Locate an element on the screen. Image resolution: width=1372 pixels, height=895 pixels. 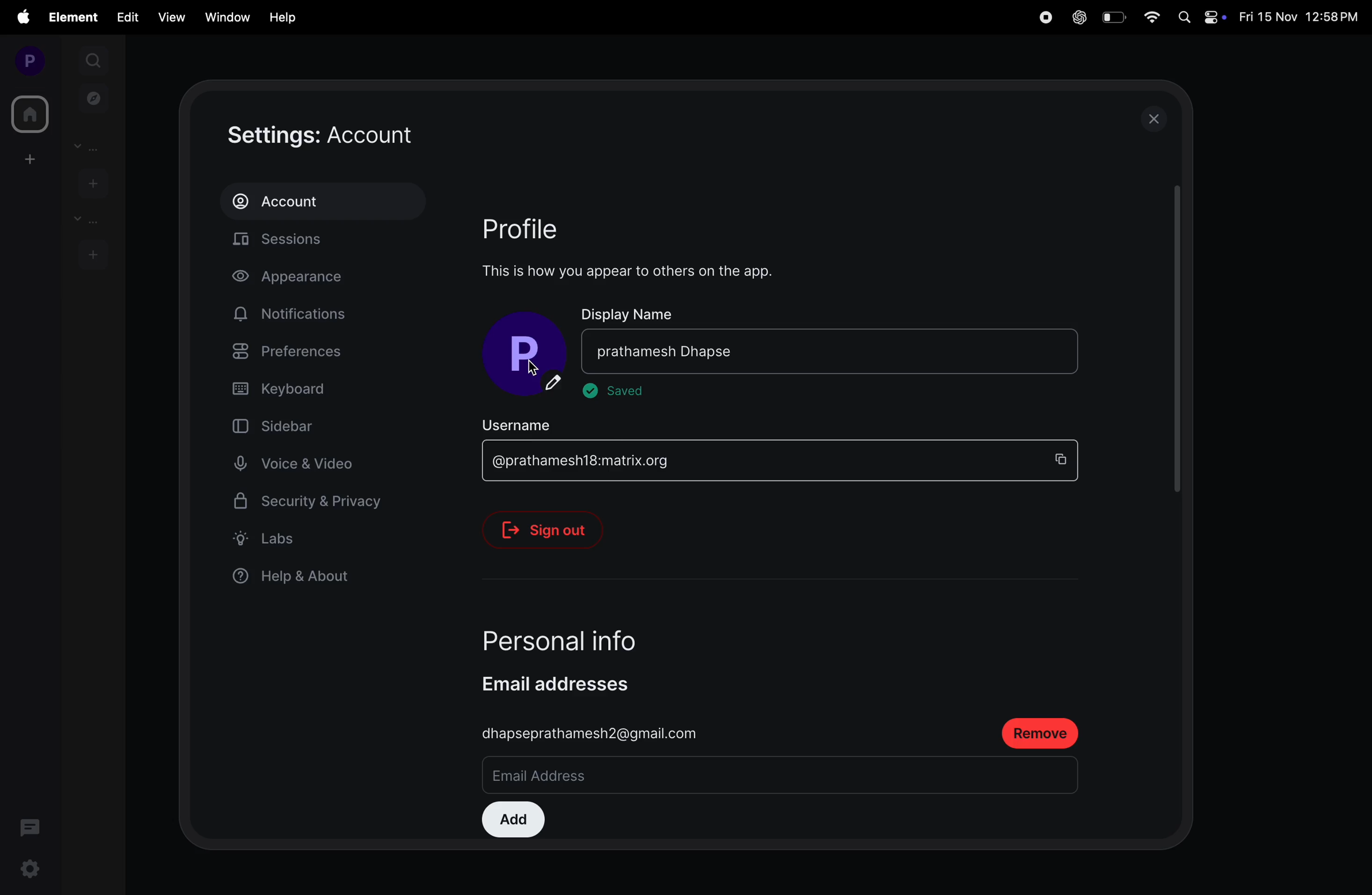
chatgpt is located at coordinates (1077, 18).